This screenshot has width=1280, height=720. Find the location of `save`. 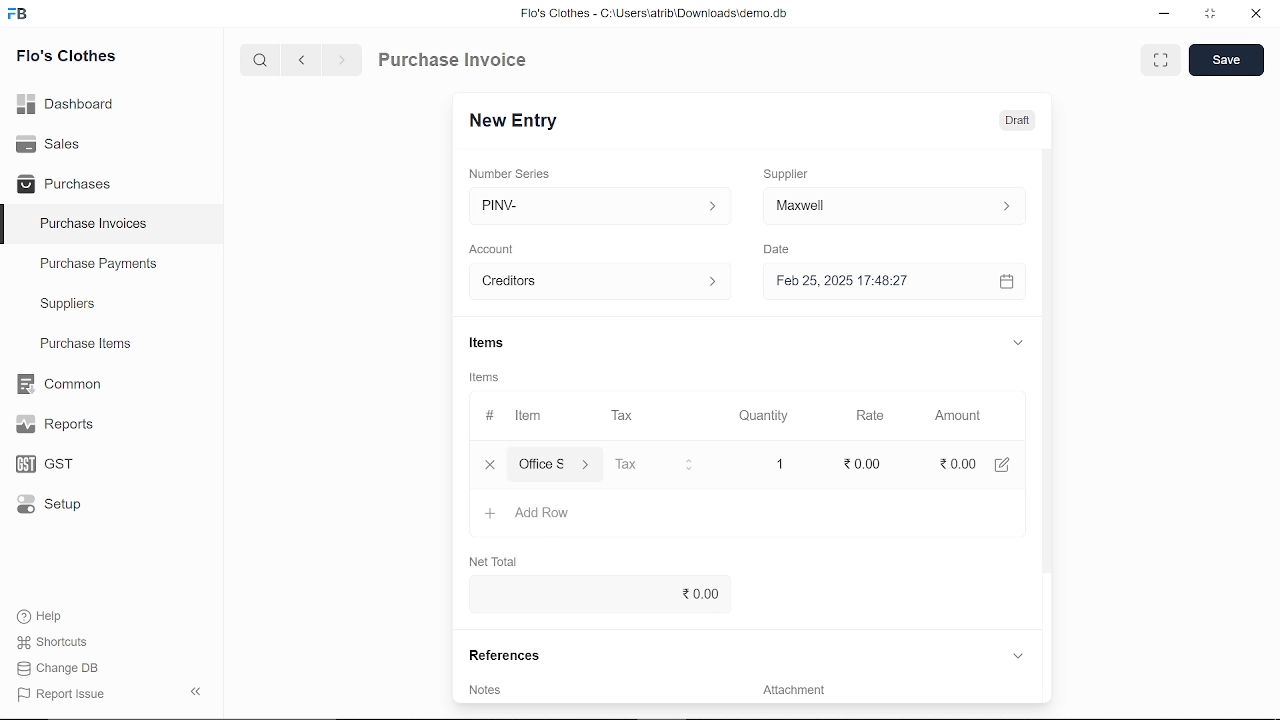

save is located at coordinates (1226, 61).